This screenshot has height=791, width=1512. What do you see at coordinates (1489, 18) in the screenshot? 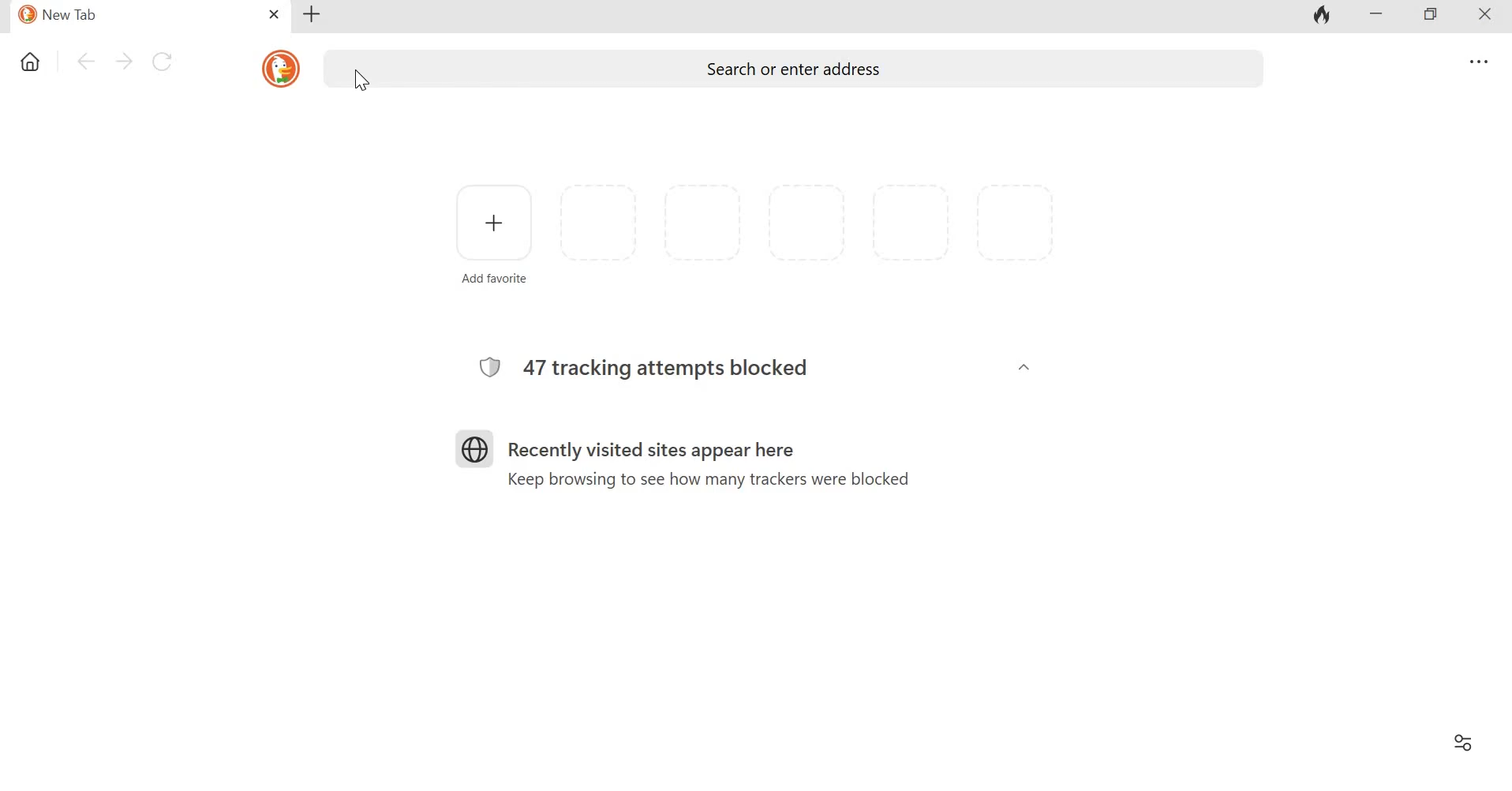
I see `Close` at bounding box center [1489, 18].